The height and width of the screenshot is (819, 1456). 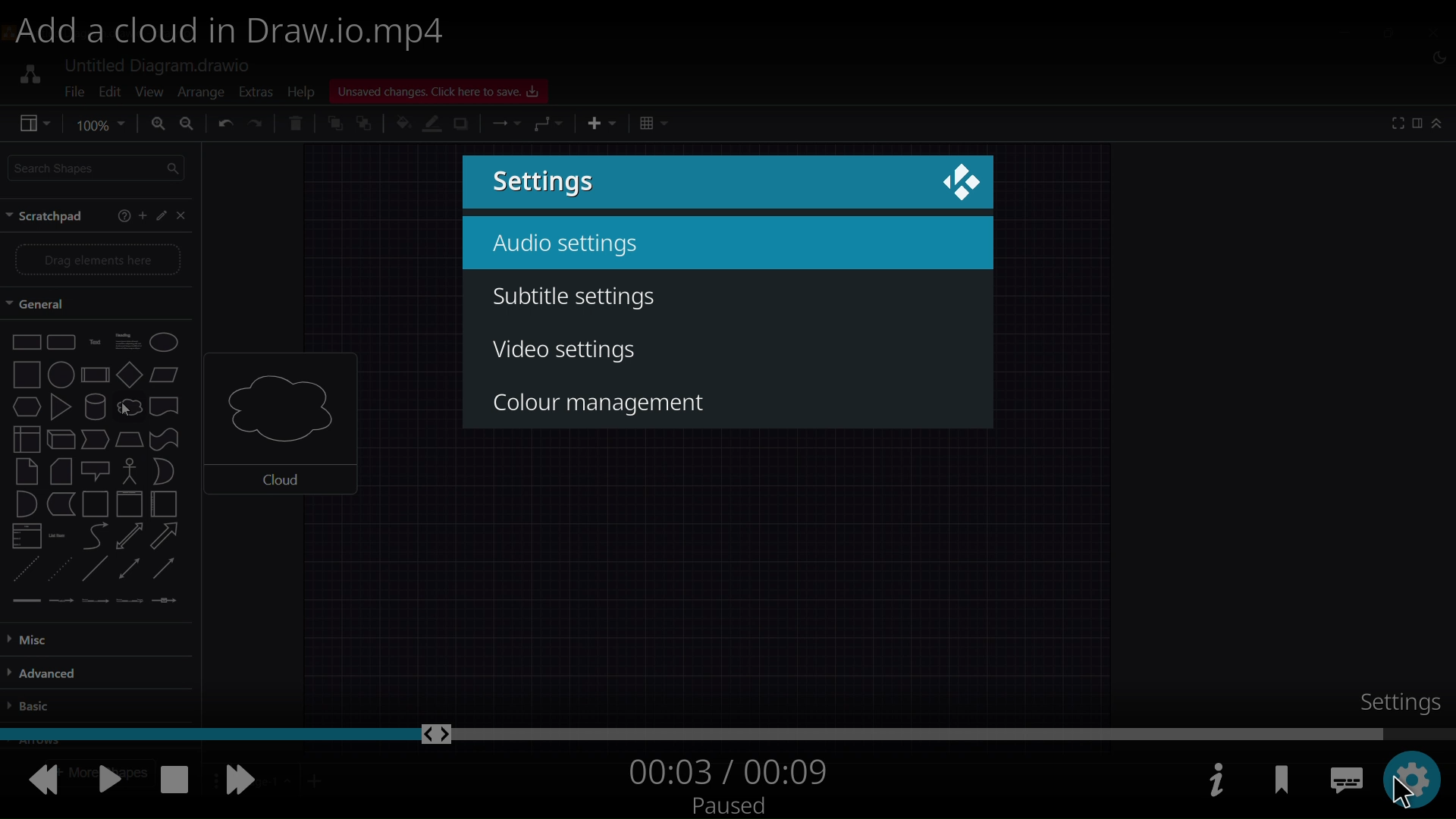 I want to click on video setting, so click(x=567, y=354).